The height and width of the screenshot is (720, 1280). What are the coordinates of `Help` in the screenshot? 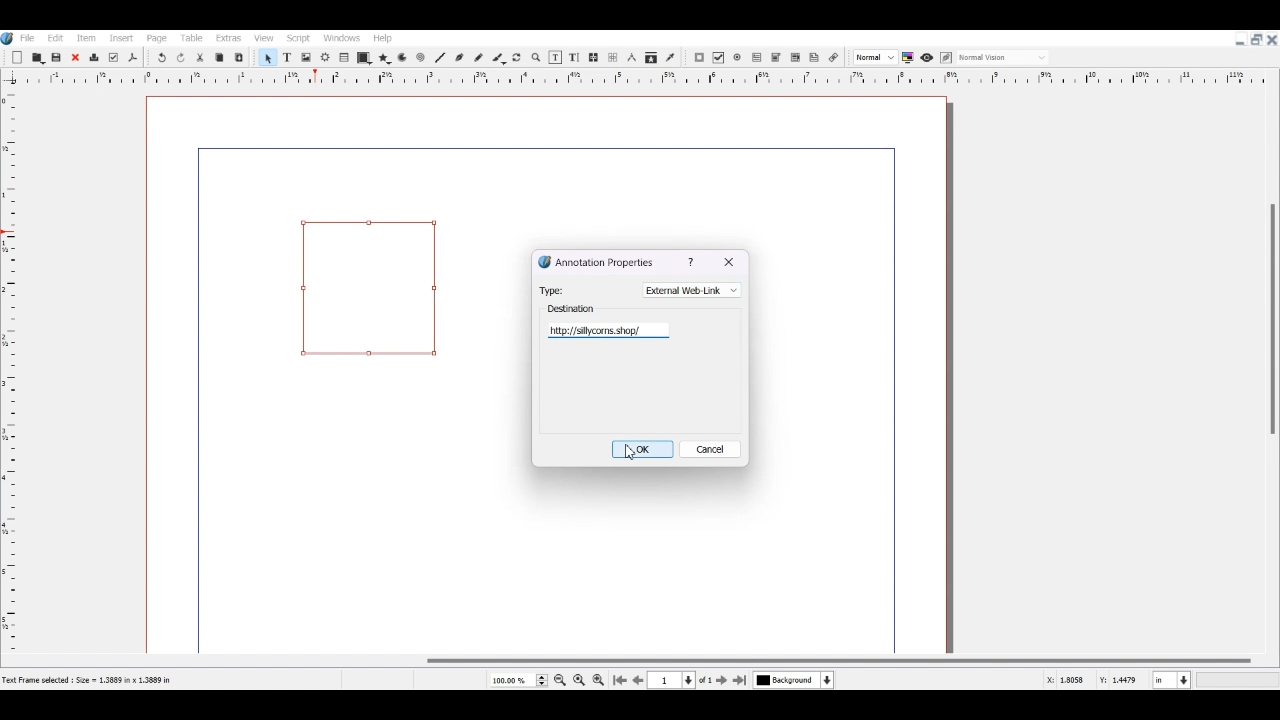 It's located at (383, 38).